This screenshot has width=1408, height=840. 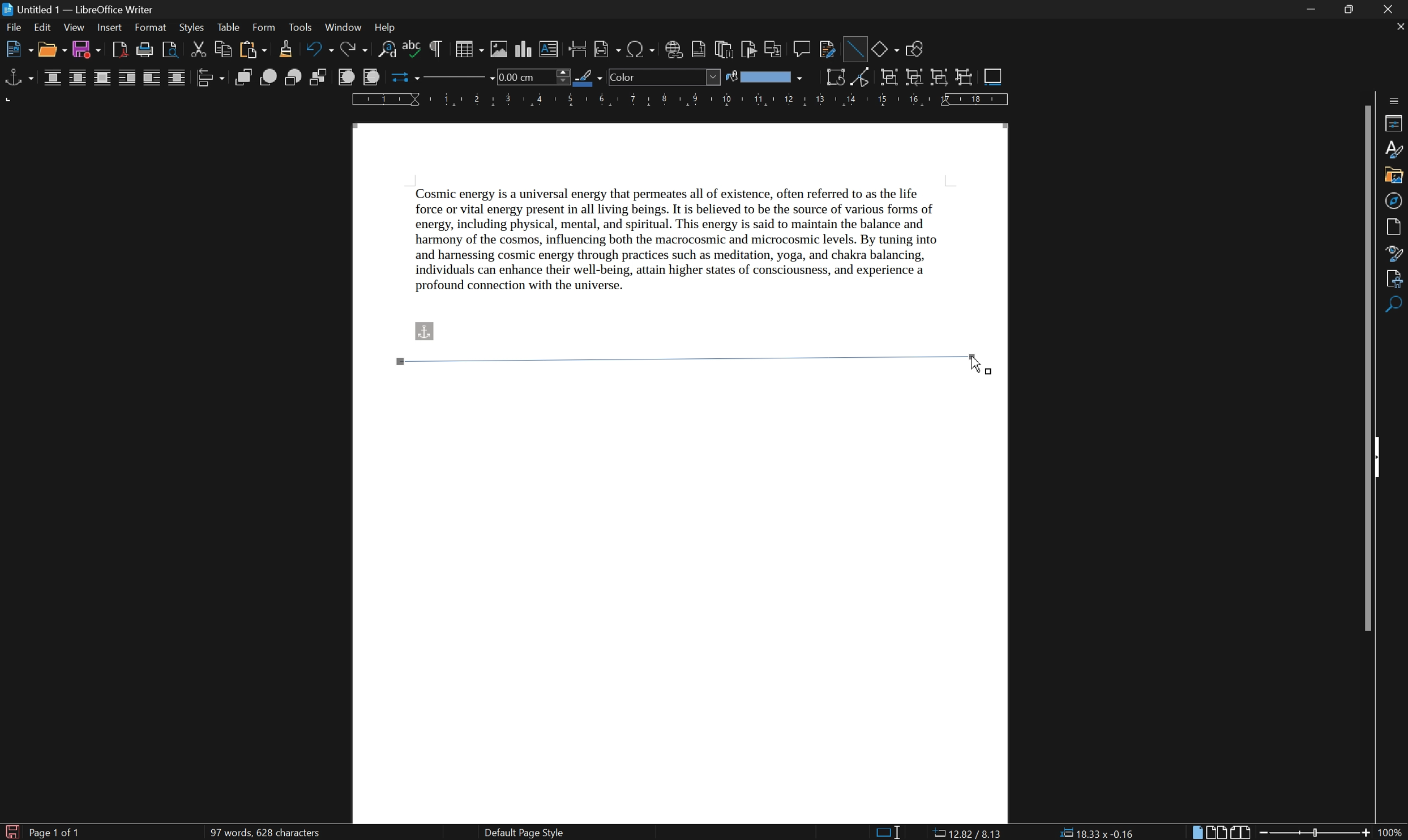 I want to click on scroll bar, so click(x=1370, y=366).